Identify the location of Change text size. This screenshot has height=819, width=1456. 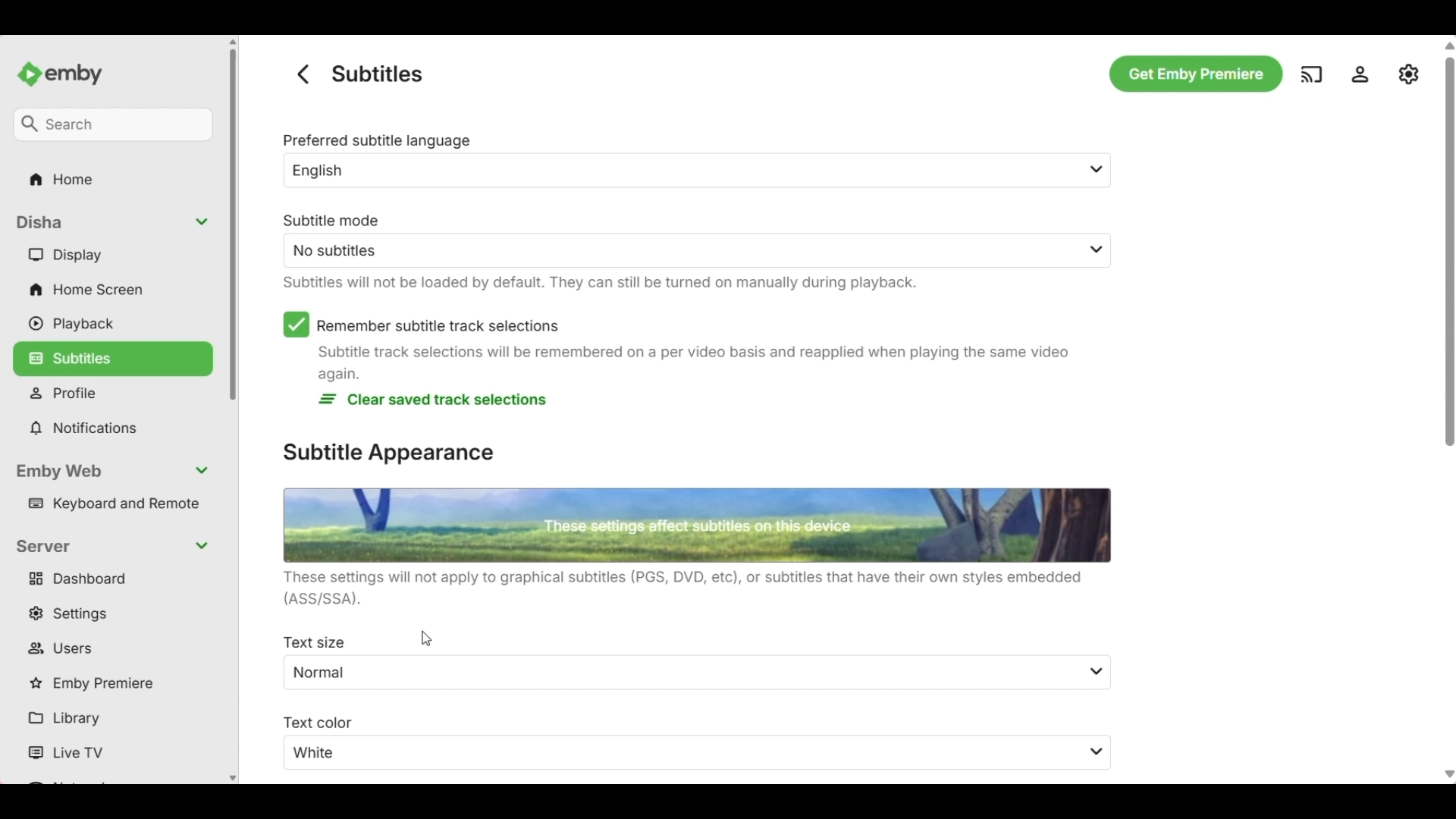
(680, 661).